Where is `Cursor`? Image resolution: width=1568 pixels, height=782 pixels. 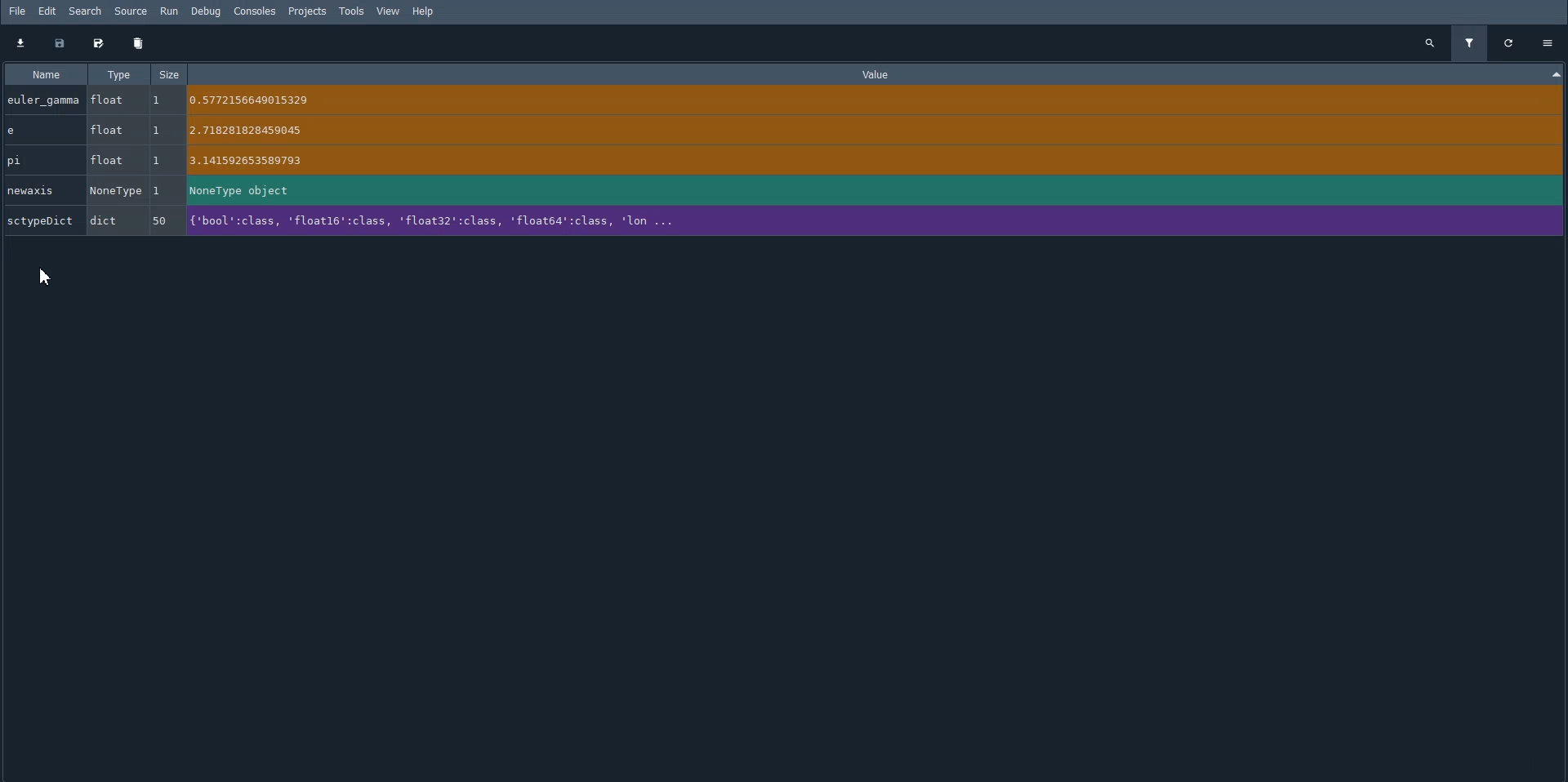 Cursor is located at coordinates (43, 276).